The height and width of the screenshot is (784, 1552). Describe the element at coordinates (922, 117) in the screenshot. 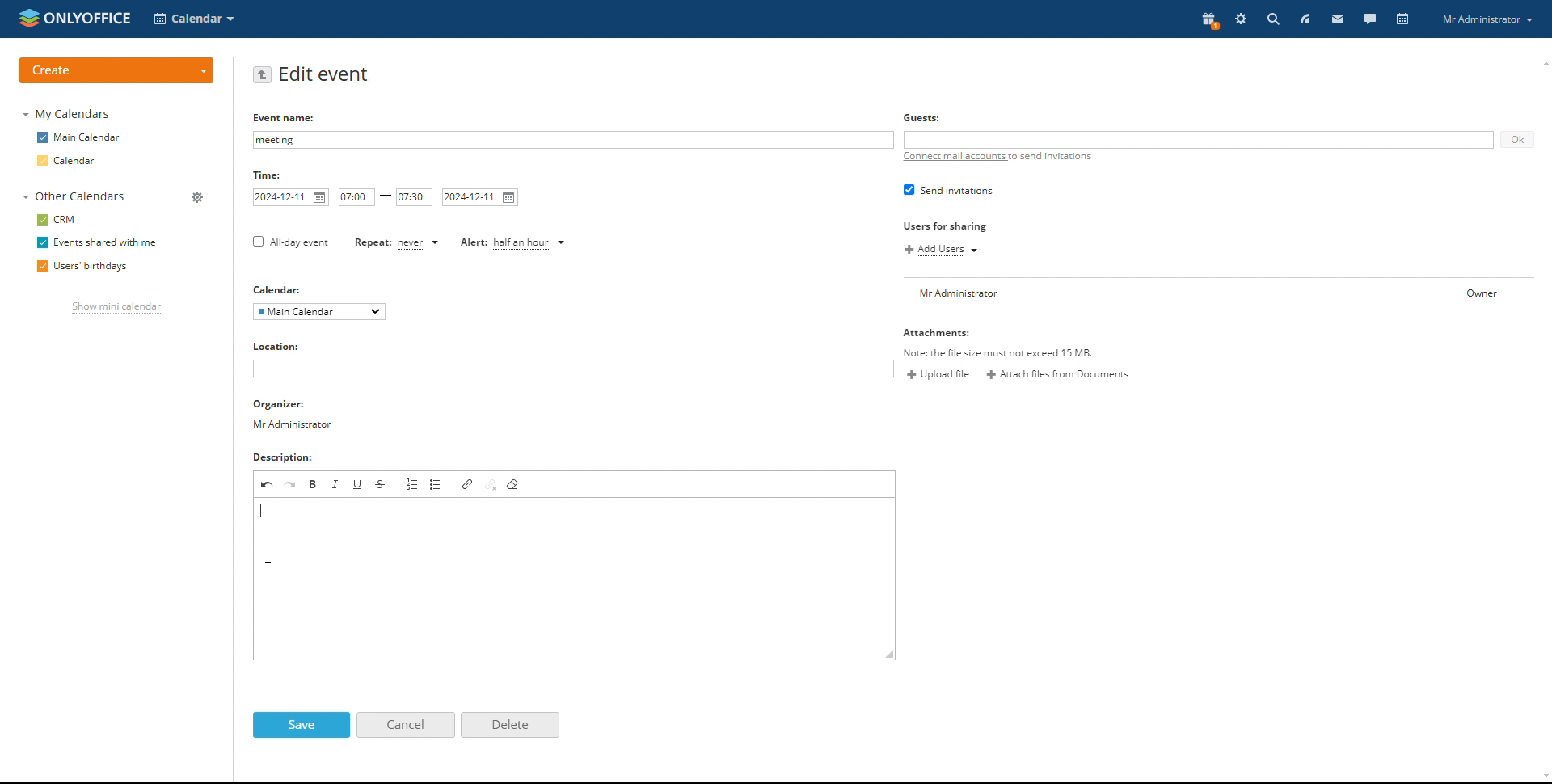

I see `` at that location.